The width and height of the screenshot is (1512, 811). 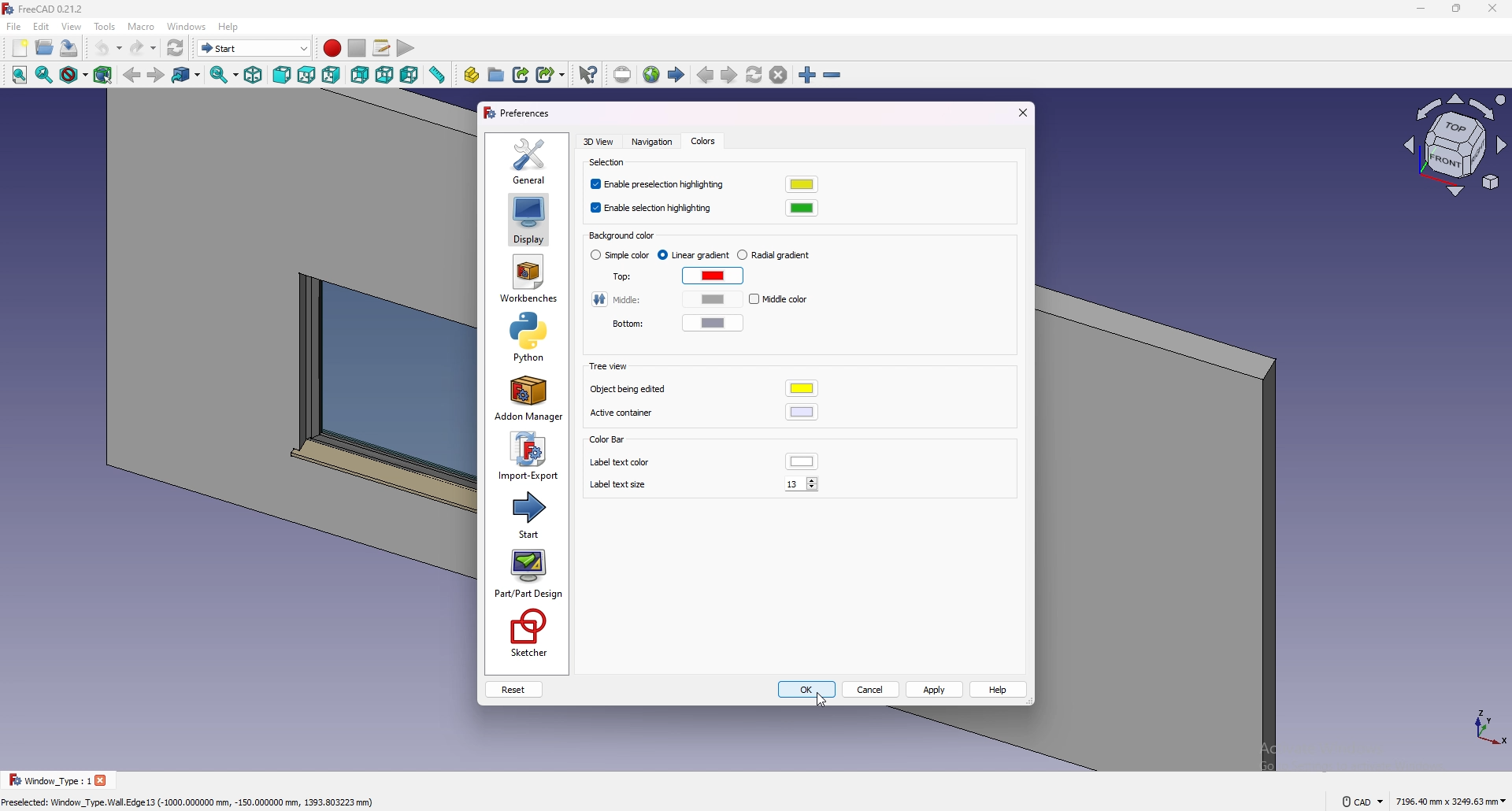 What do you see at coordinates (713, 276) in the screenshot?
I see `top color` at bounding box center [713, 276].